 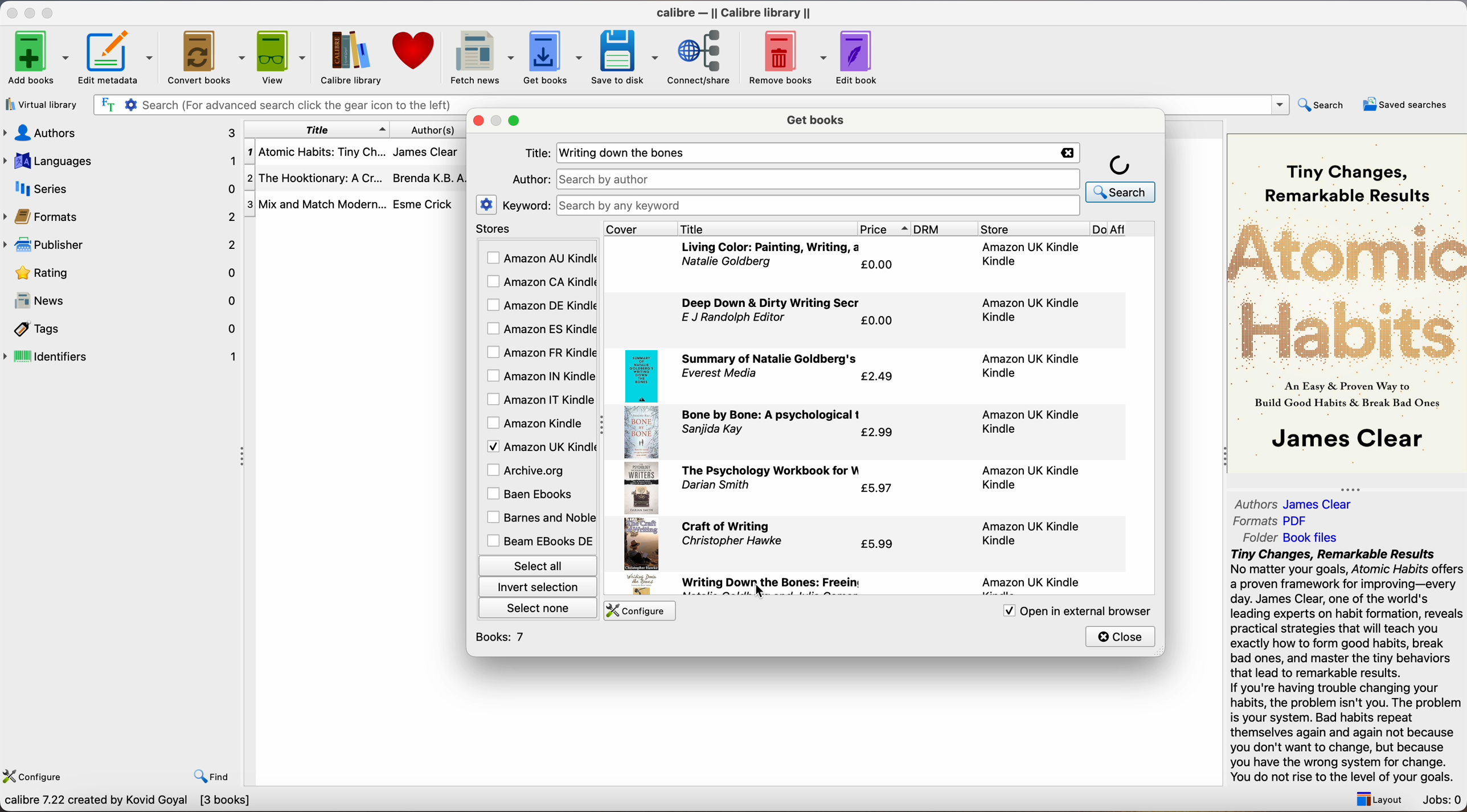 What do you see at coordinates (276, 105) in the screenshot?
I see `search bar` at bounding box center [276, 105].